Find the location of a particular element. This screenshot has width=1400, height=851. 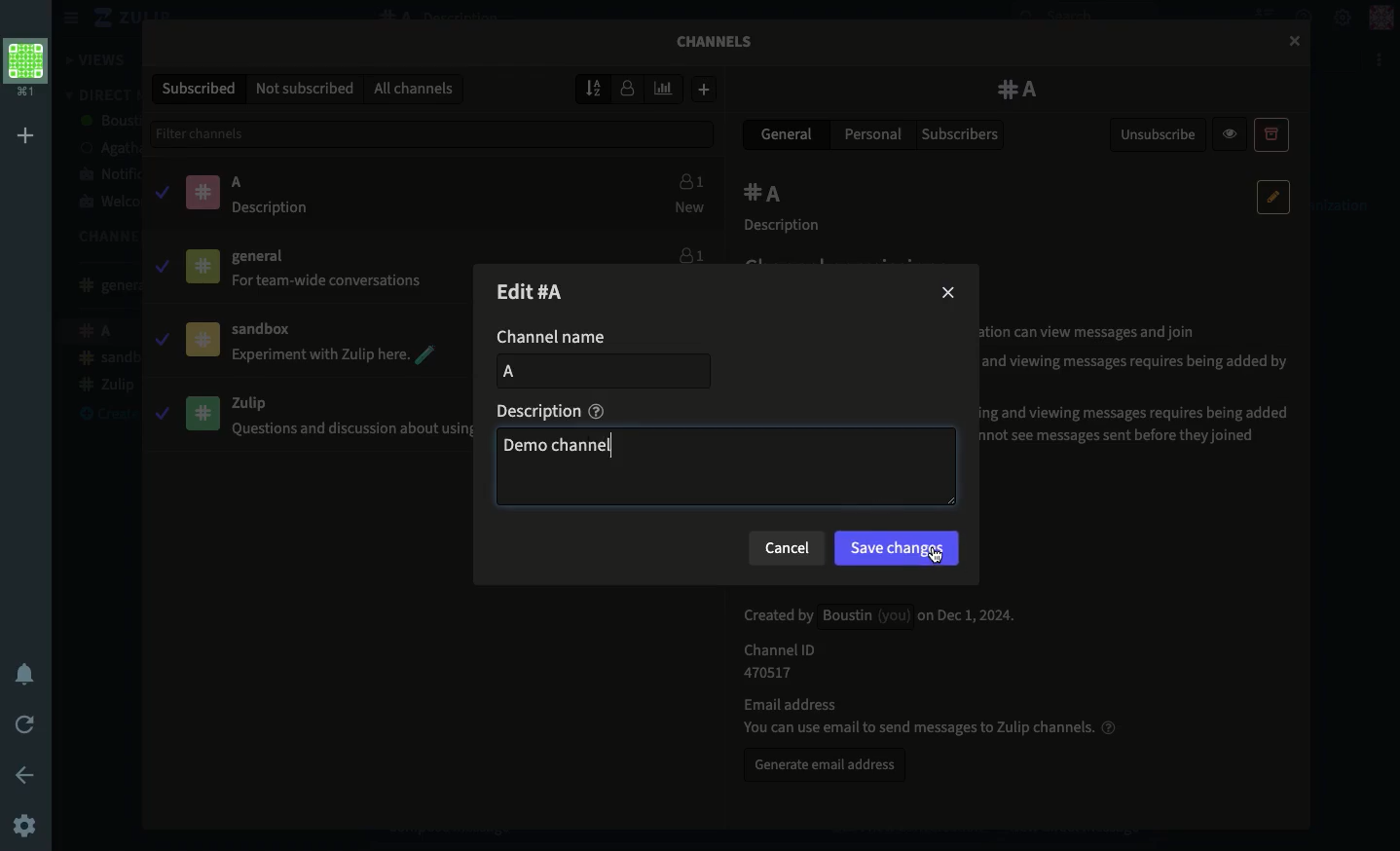

Edit is located at coordinates (1274, 197).